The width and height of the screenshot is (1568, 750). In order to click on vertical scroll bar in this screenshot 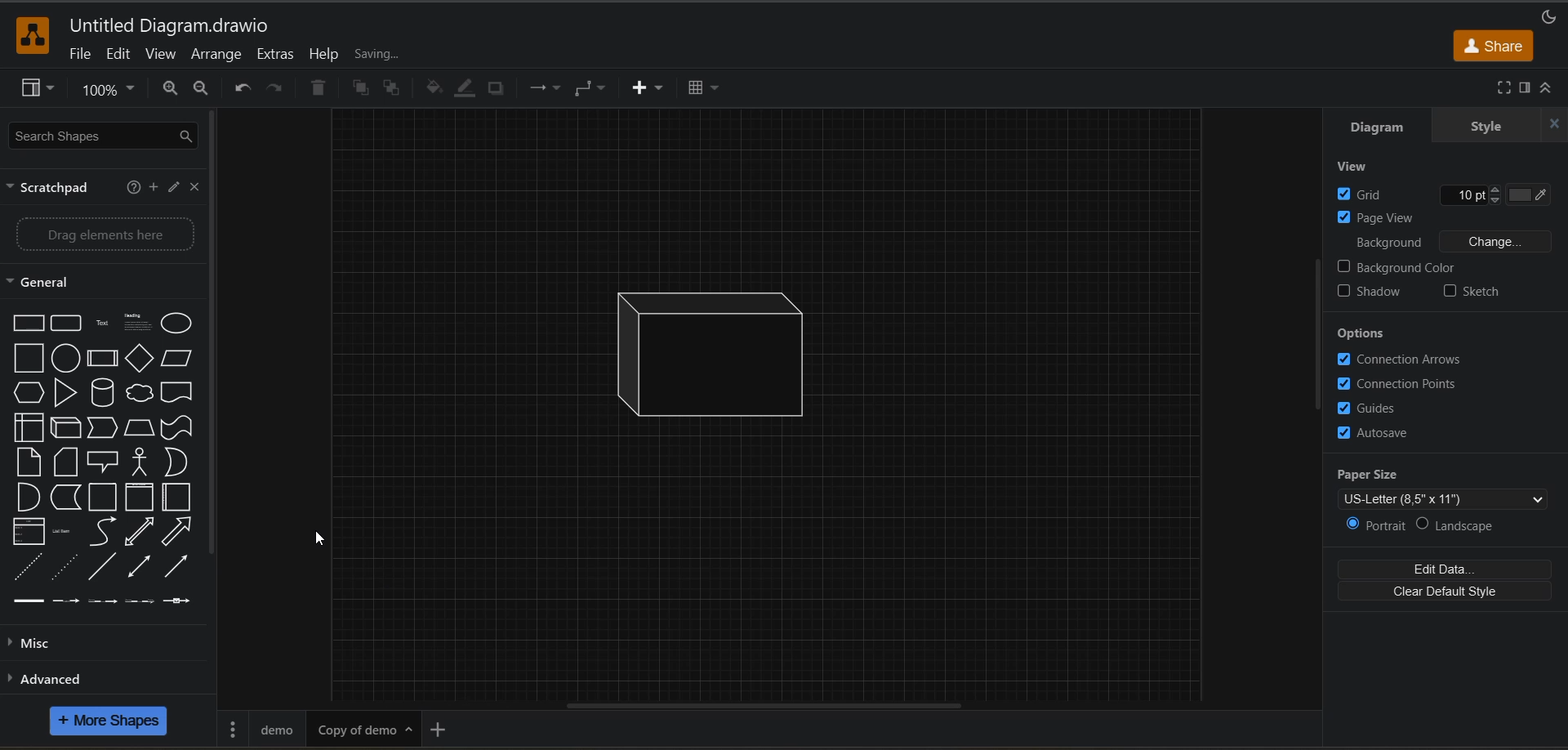, I will do `click(1316, 336)`.